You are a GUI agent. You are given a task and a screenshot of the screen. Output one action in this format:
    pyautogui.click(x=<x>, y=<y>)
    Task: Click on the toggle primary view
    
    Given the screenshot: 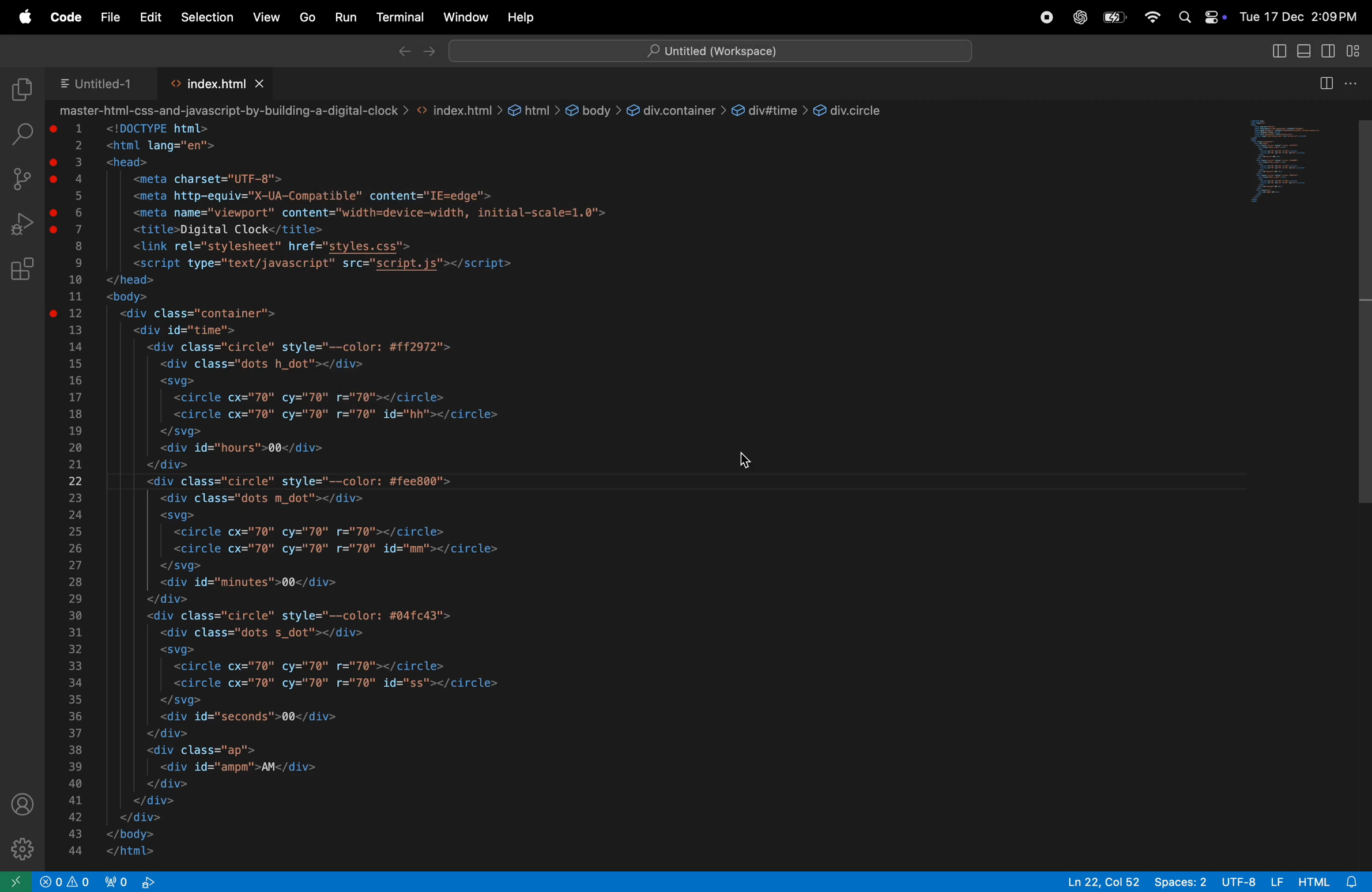 What is the action you would take?
    pyautogui.click(x=1357, y=48)
    